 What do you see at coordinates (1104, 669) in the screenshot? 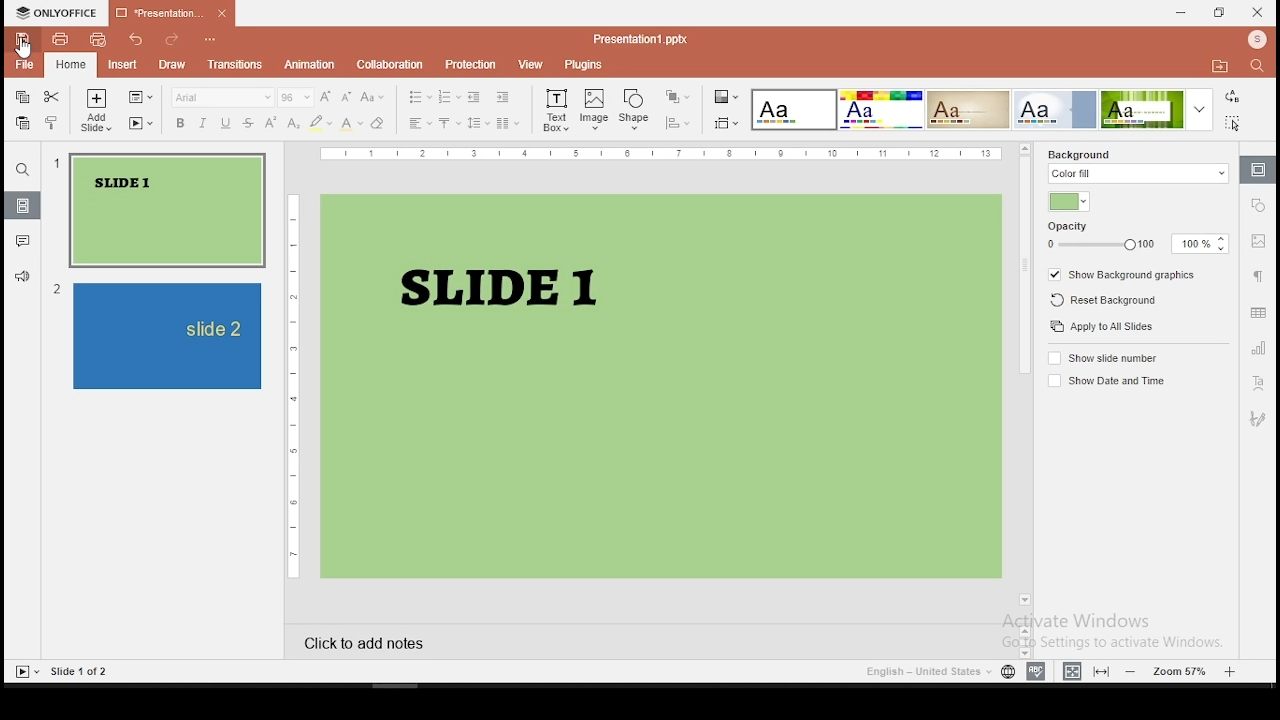
I see `fit to width` at bounding box center [1104, 669].